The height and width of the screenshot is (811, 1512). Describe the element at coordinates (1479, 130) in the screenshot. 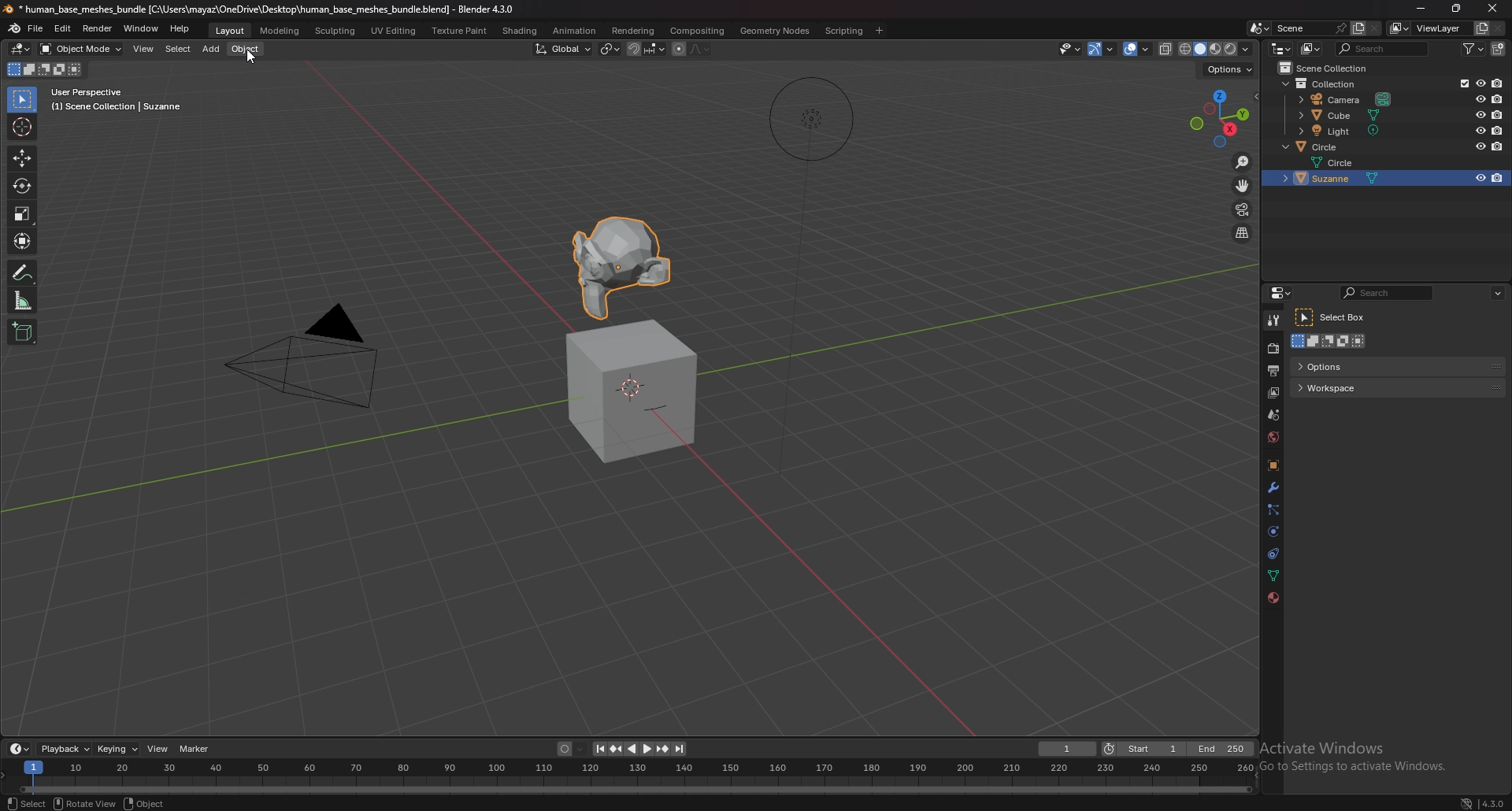

I see `hide in viewport` at that location.